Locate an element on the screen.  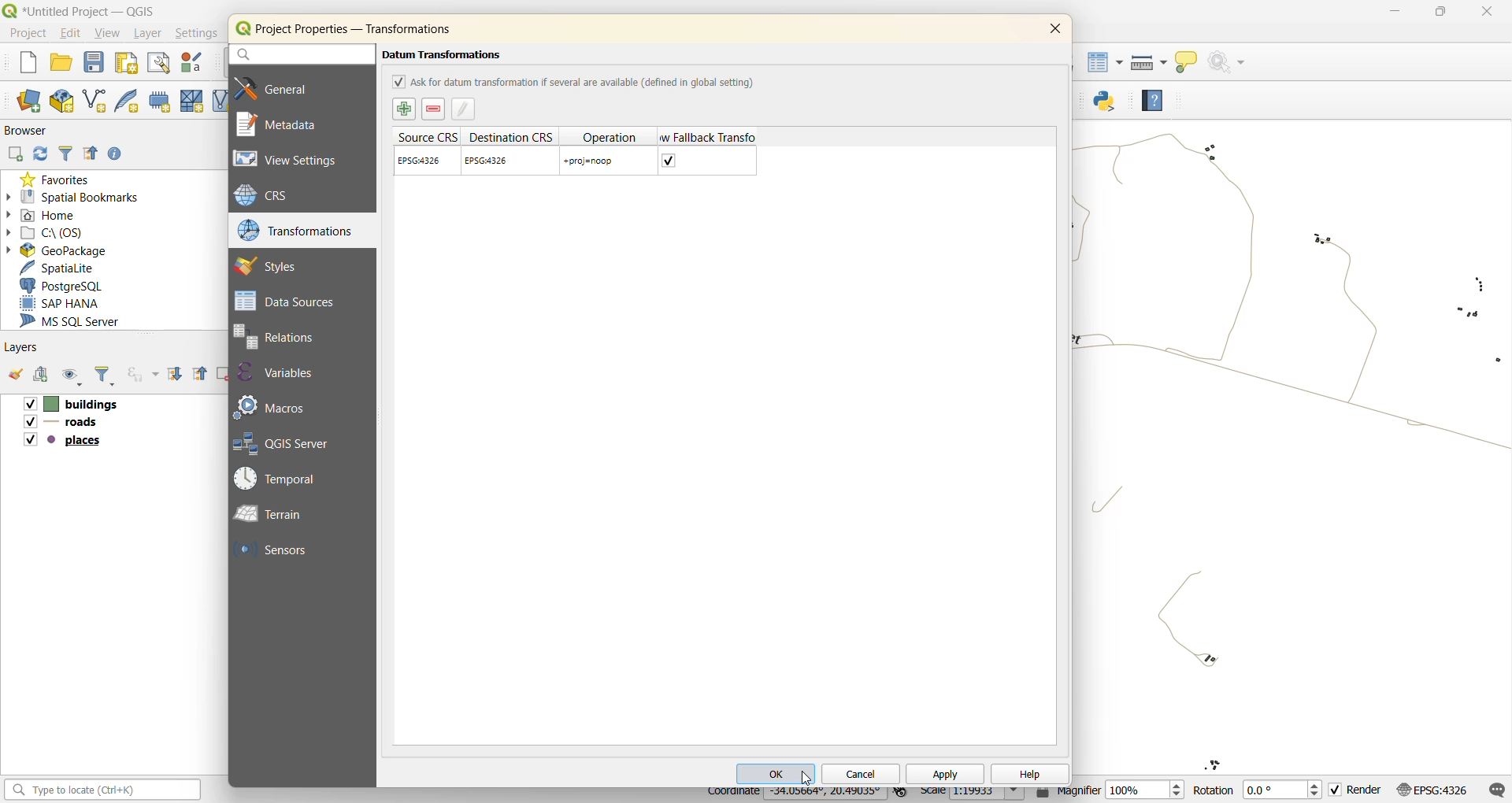
expand all is located at coordinates (175, 372).